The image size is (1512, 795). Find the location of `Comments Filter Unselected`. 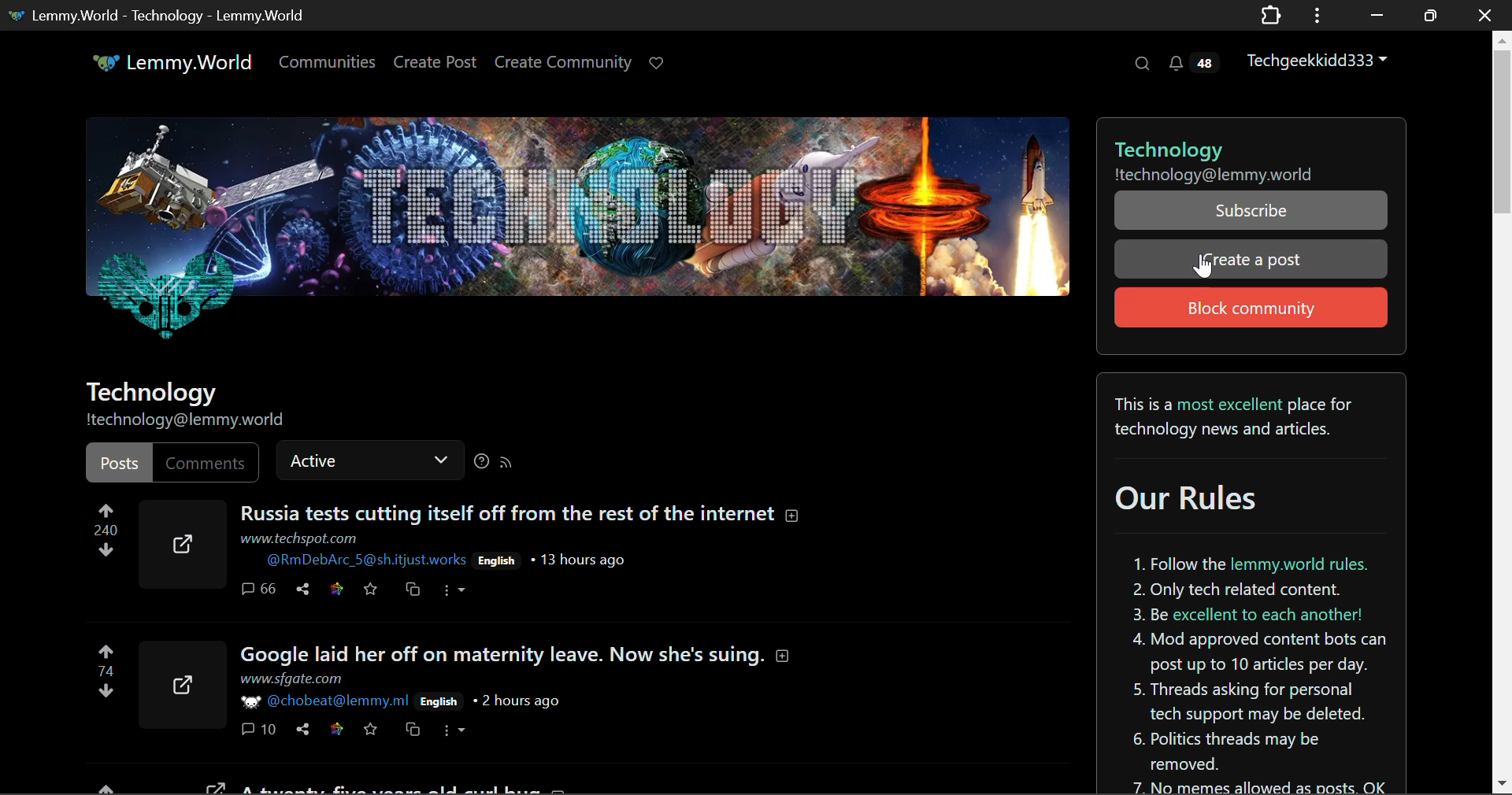

Comments Filter Unselected is located at coordinates (203, 461).